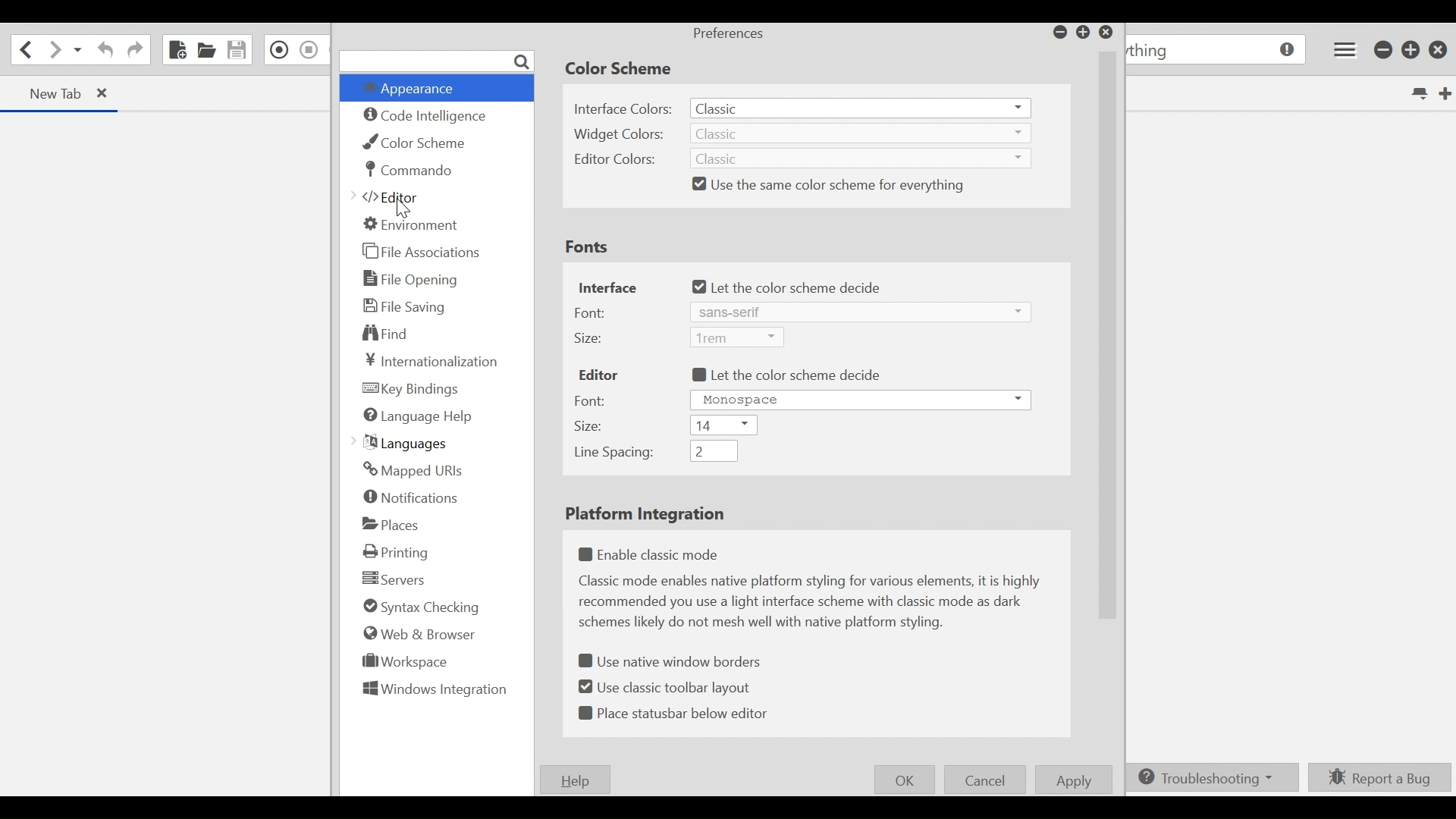  Describe the element at coordinates (415, 389) in the screenshot. I see `Key Finding` at that location.